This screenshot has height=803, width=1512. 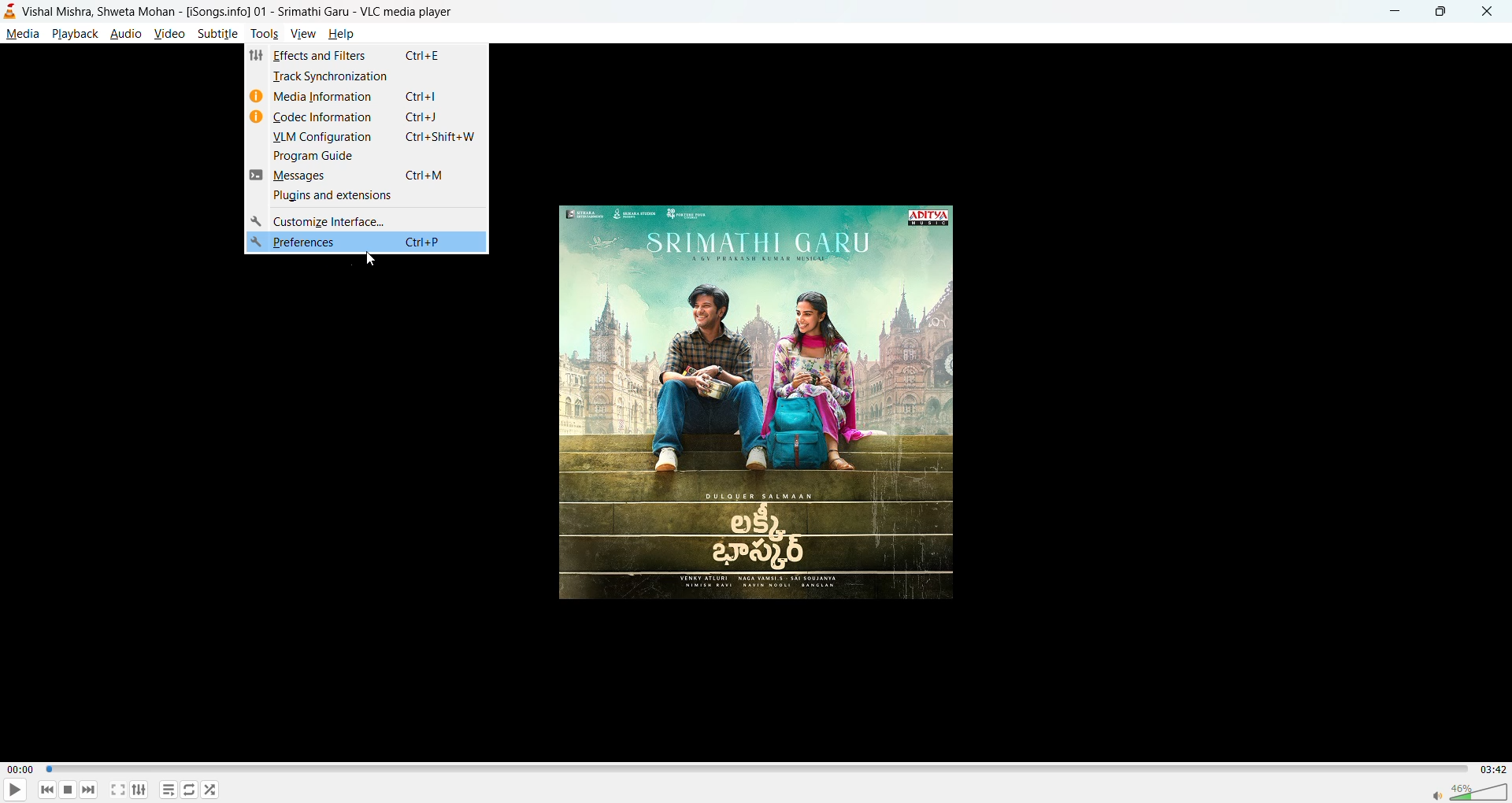 What do you see at coordinates (65, 790) in the screenshot?
I see `stop` at bounding box center [65, 790].